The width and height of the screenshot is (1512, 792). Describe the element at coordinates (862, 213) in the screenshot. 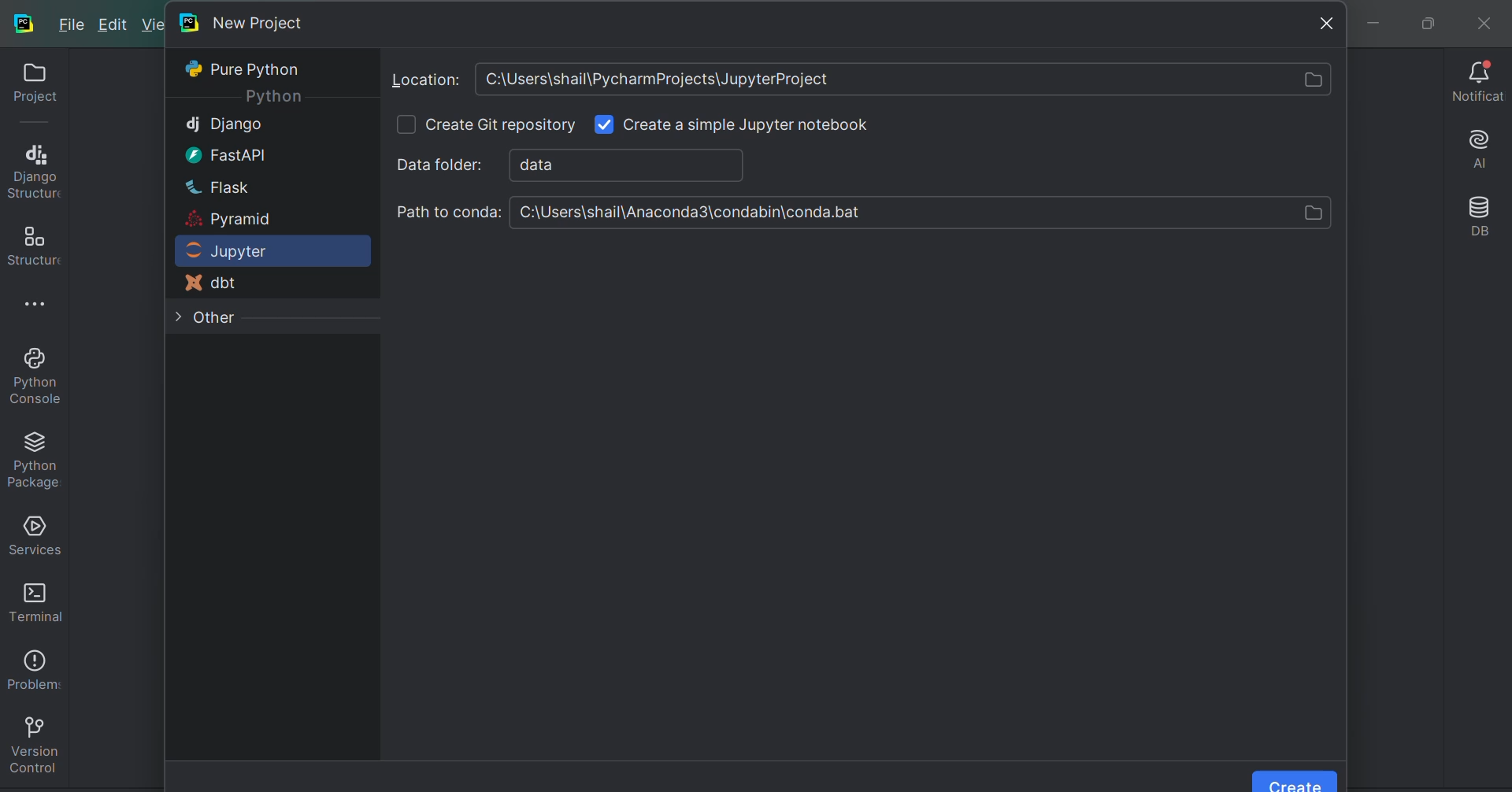

I see `Path to conda` at that location.